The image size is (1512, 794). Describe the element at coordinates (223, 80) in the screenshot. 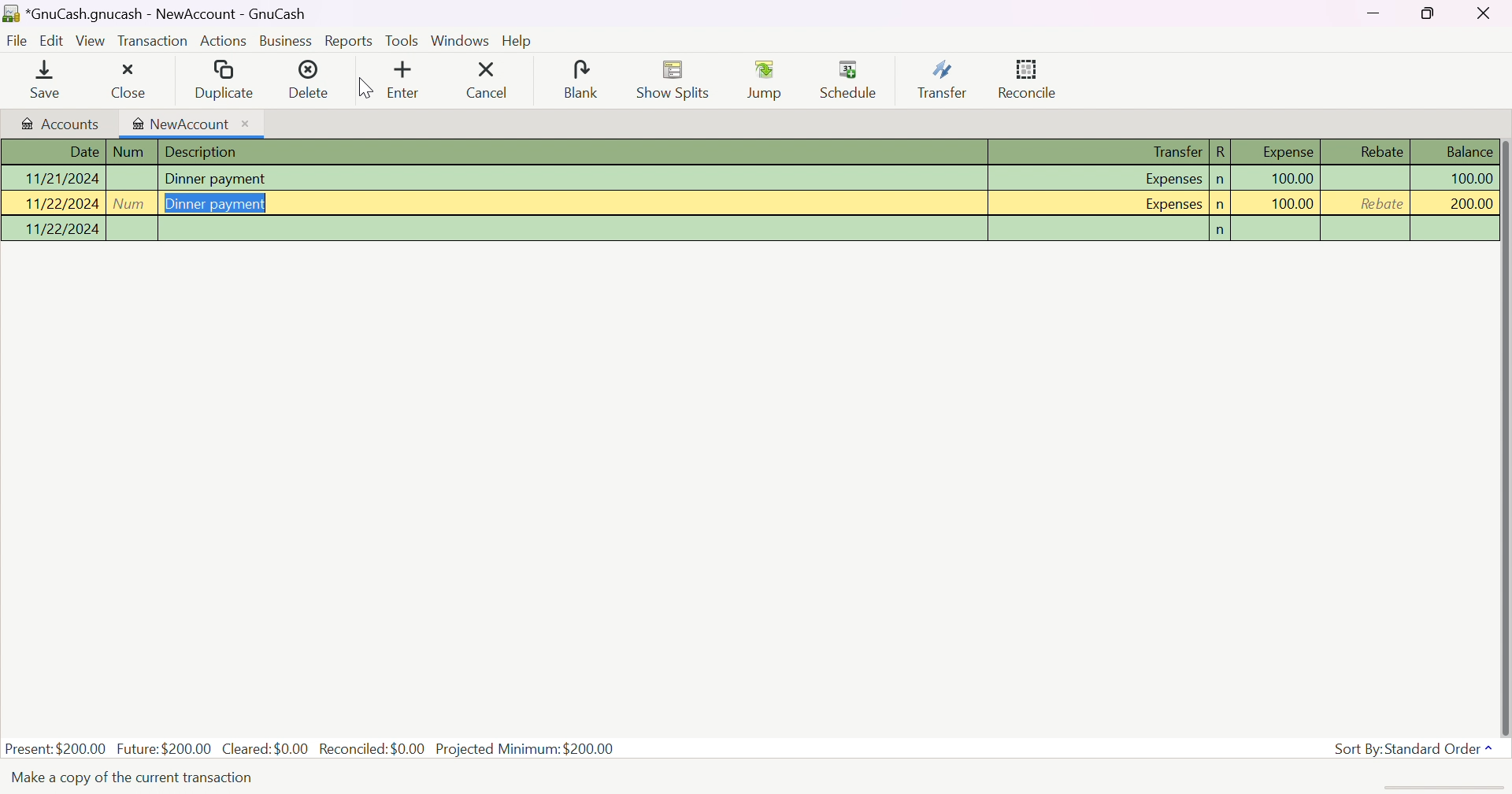

I see `Duplicate` at that location.